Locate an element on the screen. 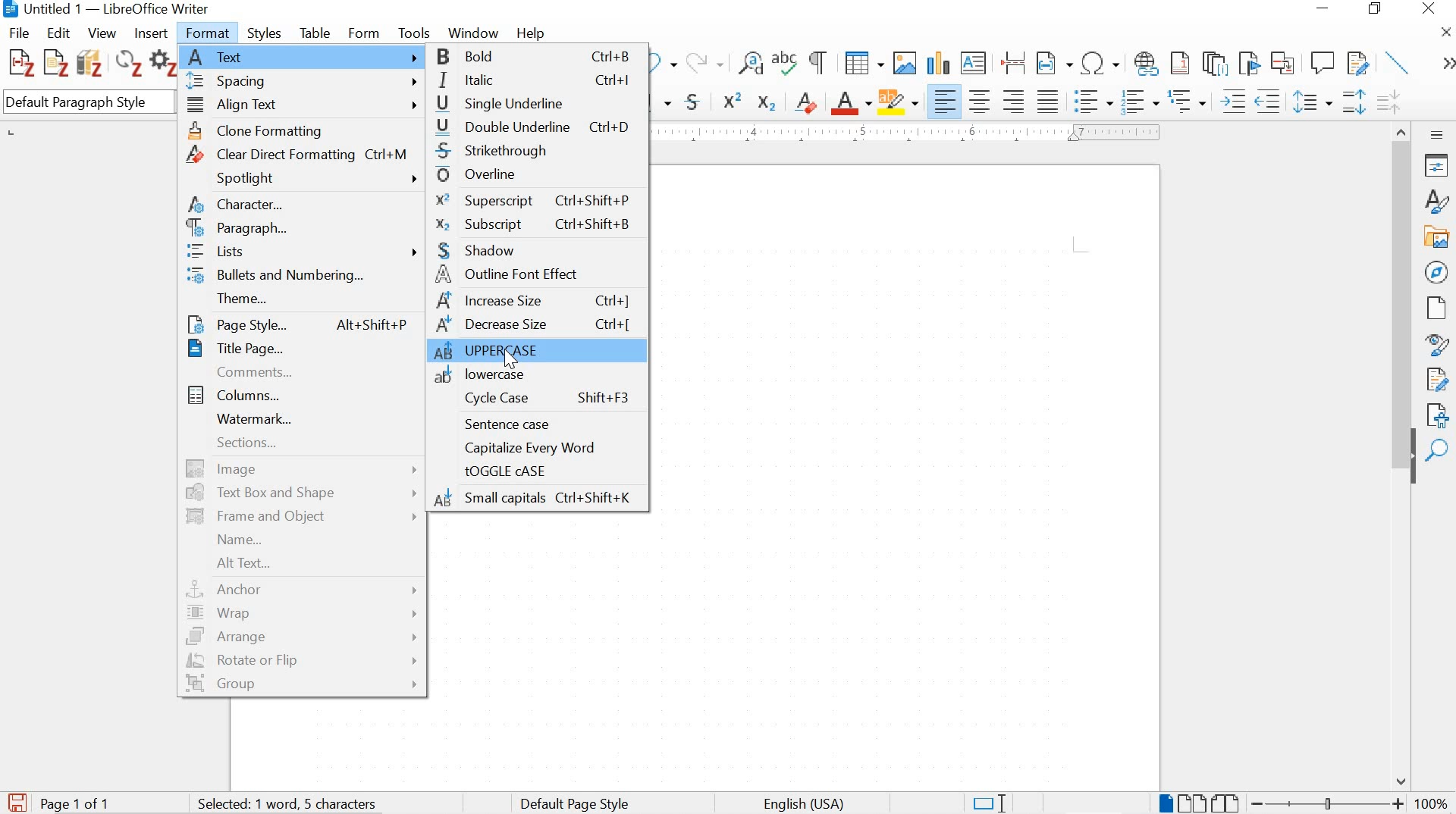 This screenshot has width=1456, height=814. manage changes is located at coordinates (1437, 381).